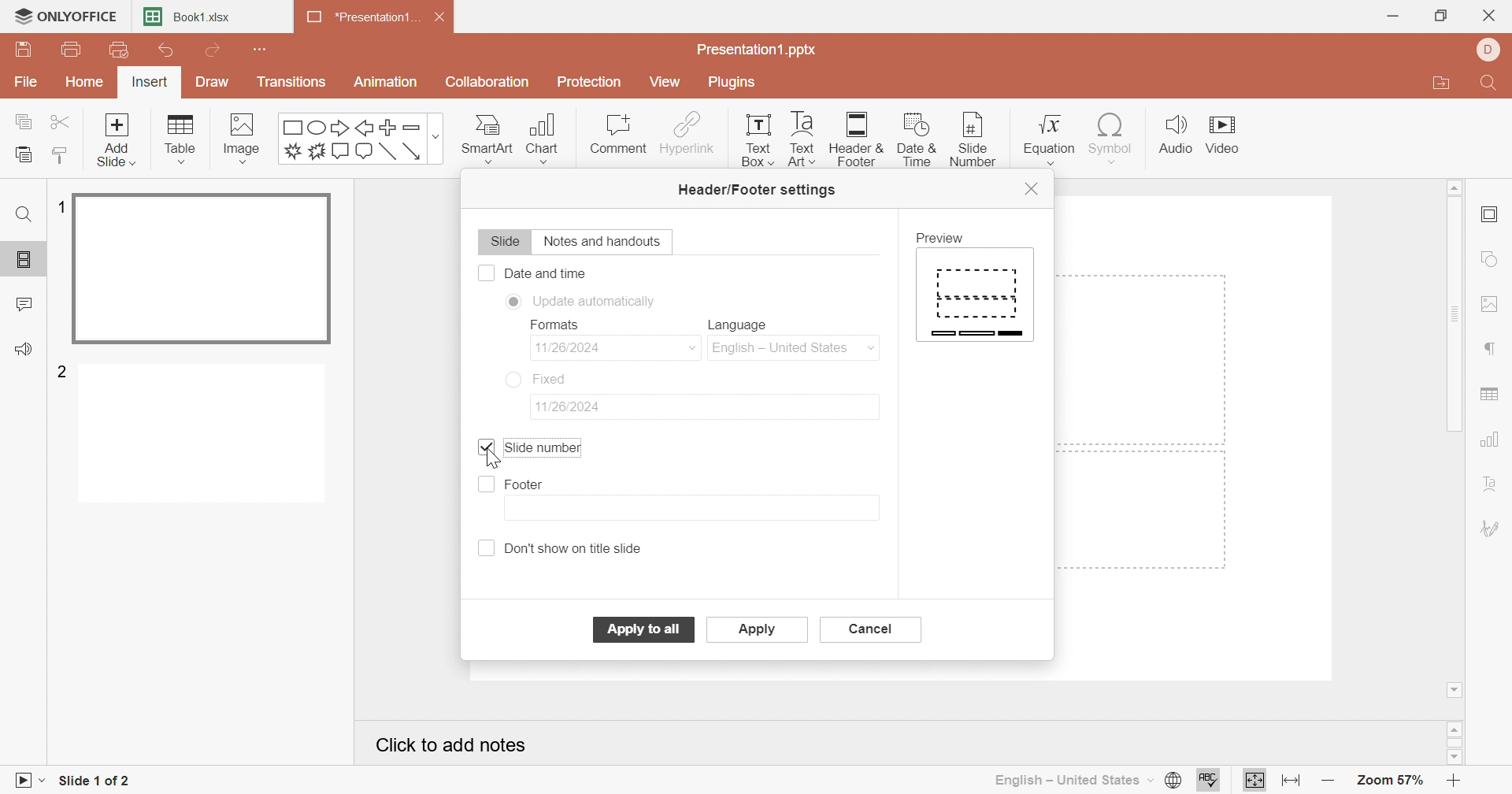 This screenshot has height=794, width=1512. What do you see at coordinates (758, 191) in the screenshot?
I see `Header/Footer settings` at bounding box center [758, 191].